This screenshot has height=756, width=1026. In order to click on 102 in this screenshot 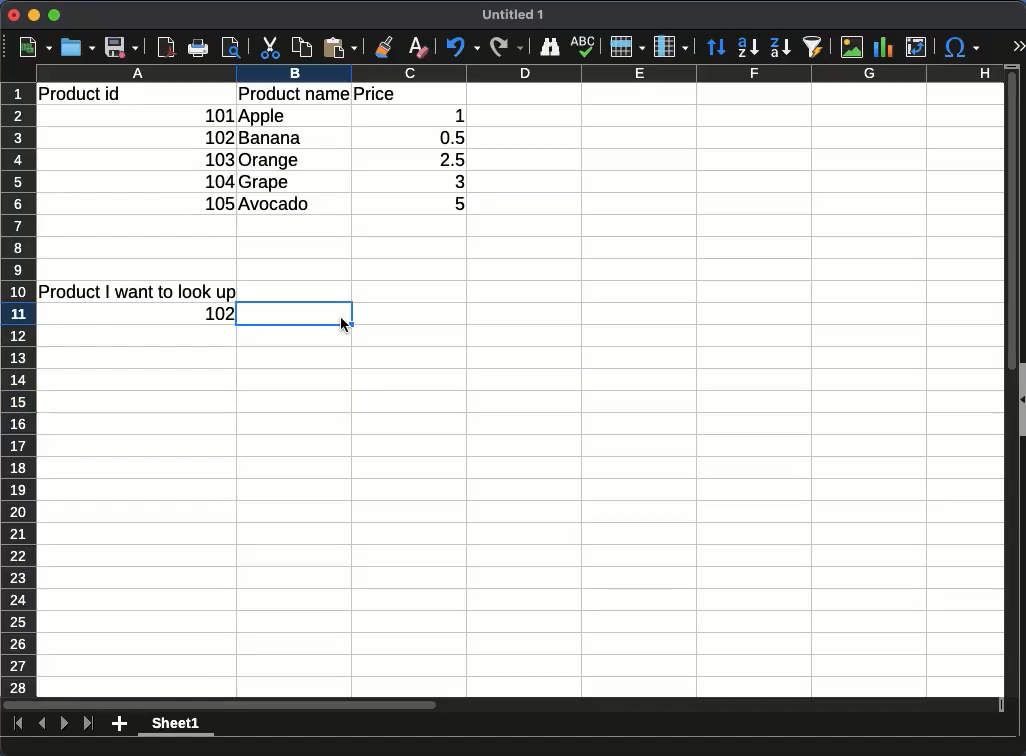, I will do `click(220, 314)`.